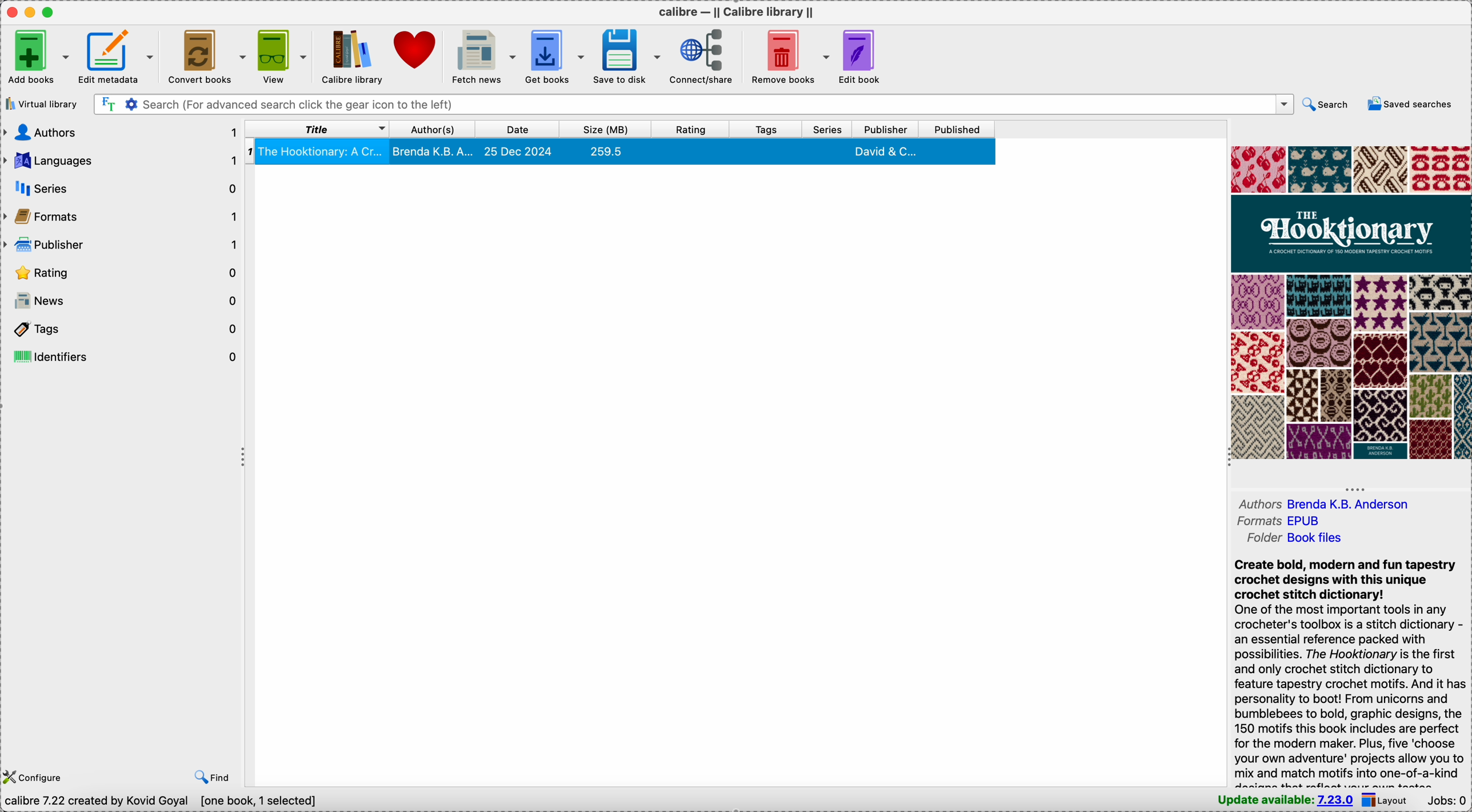  Describe the element at coordinates (1350, 303) in the screenshot. I see `book cover preview` at that location.